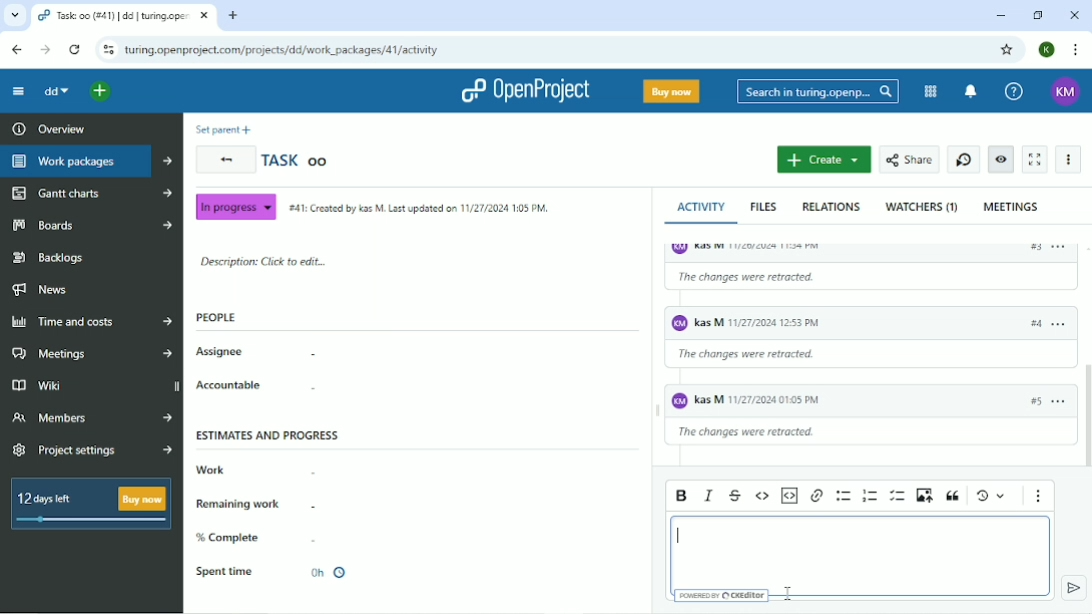 The height and width of the screenshot is (614, 1092). Describe the element at coordinates (1014, 90) in the screenshot. I see `Help` at that location.